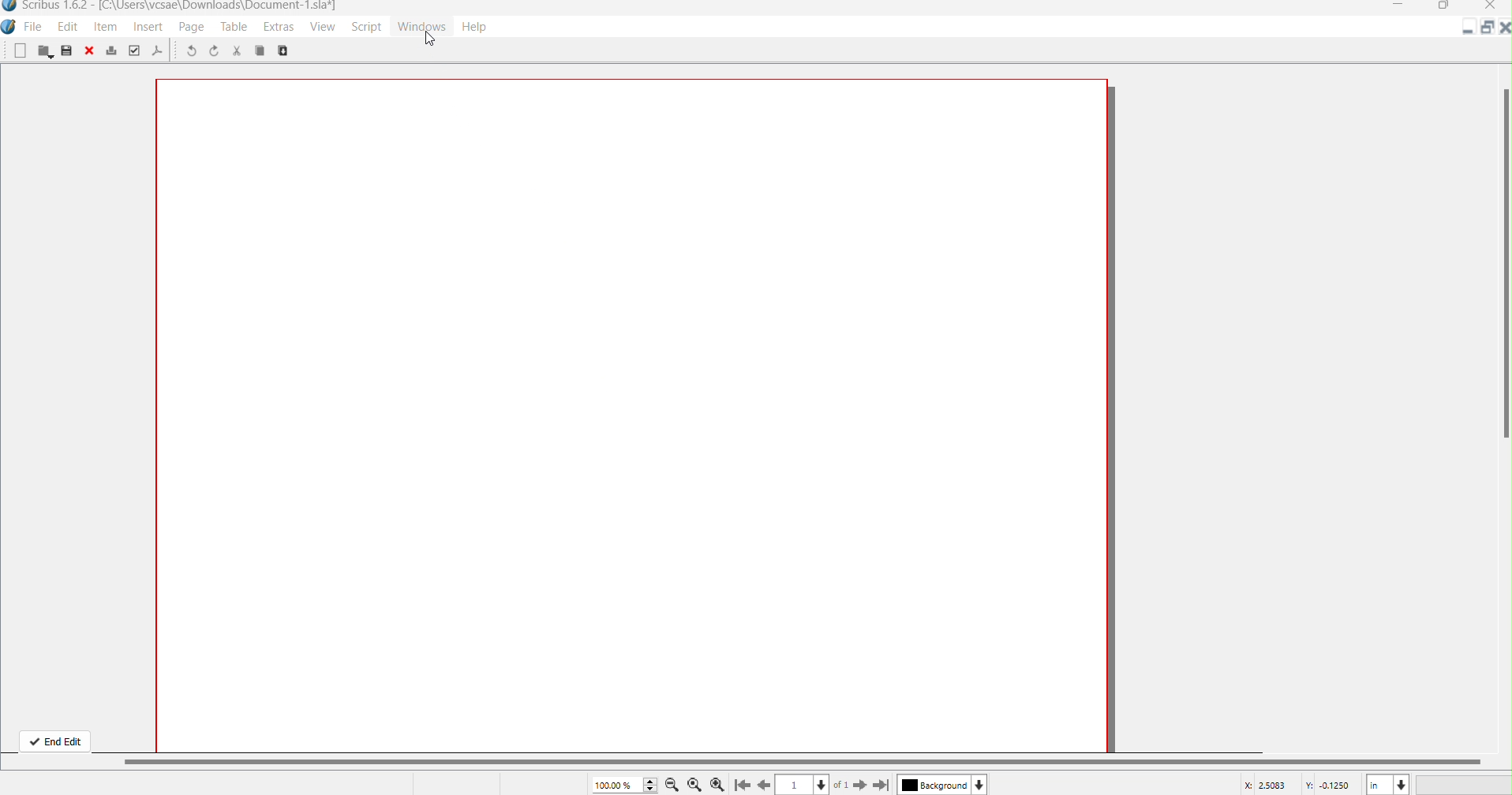 This screenshot has height=795, width=1512. Describe the element at coordinates (1402, 6) in the screenshot. I see `Minimize` at that location.